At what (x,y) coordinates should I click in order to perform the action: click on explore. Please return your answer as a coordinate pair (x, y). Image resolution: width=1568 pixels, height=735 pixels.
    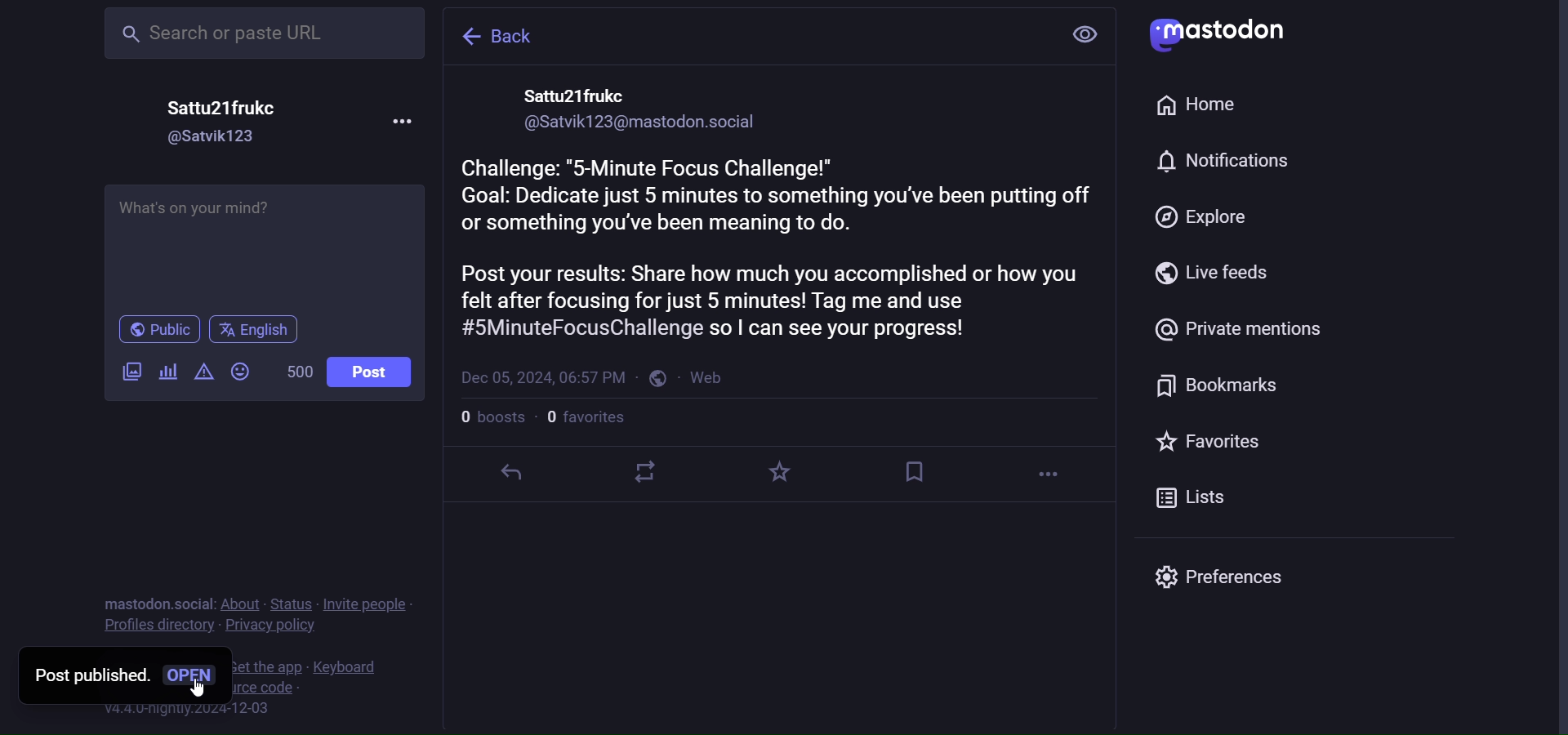
    Looking at the image, I should click on (1196, 219).